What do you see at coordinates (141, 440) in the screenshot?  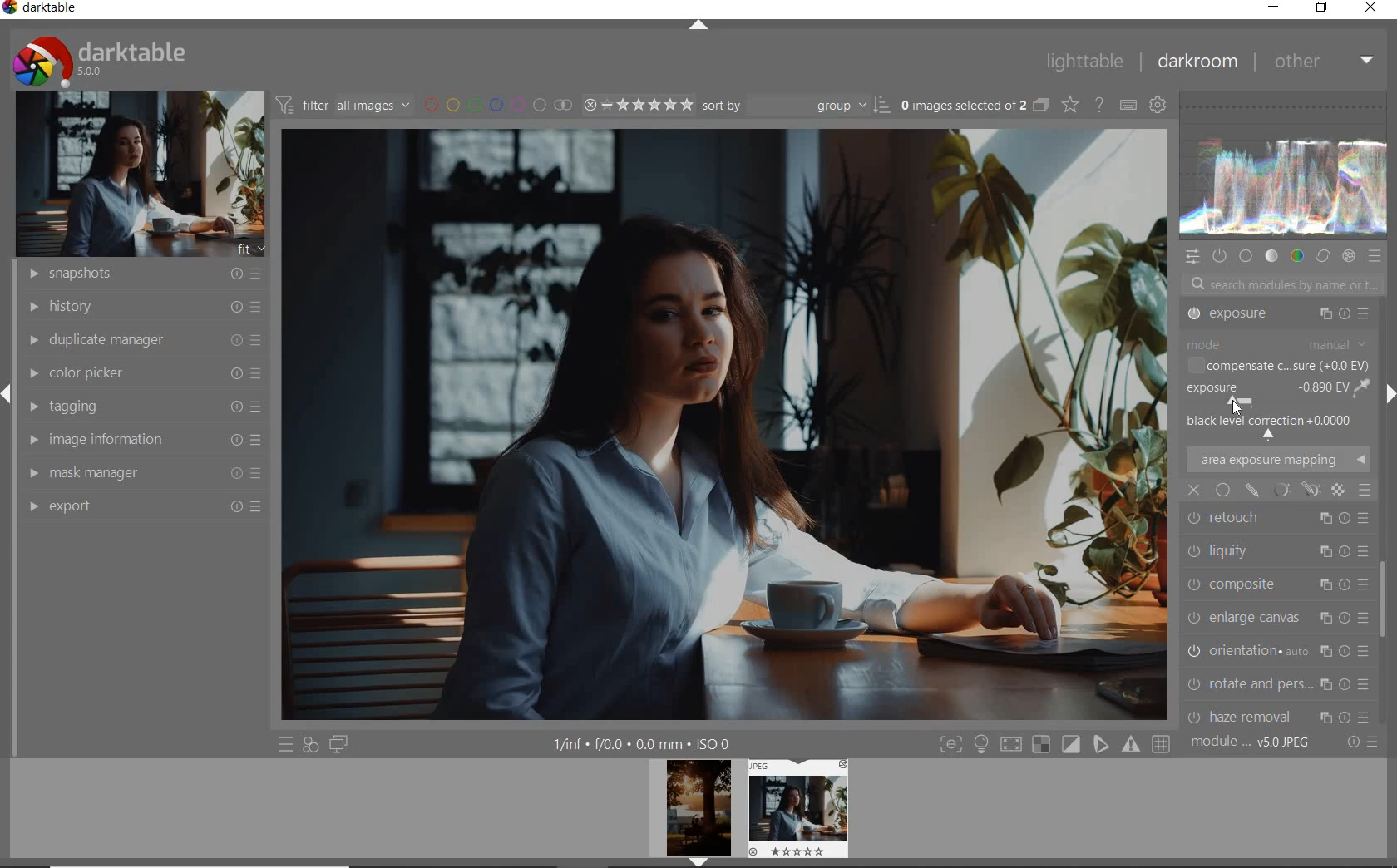 I see `IMAGE INFORMATION` at bounding box center [141, 440].